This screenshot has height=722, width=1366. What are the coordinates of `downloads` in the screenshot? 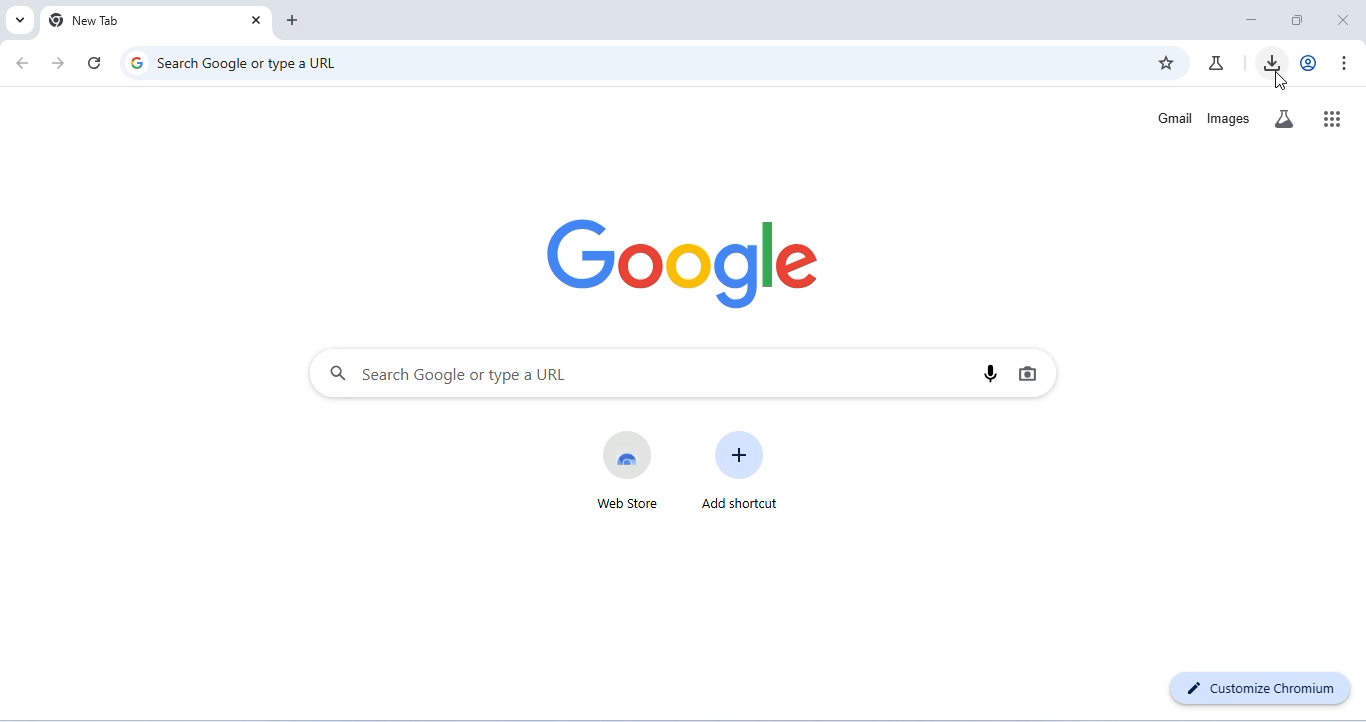 It's located at (1272, 62).